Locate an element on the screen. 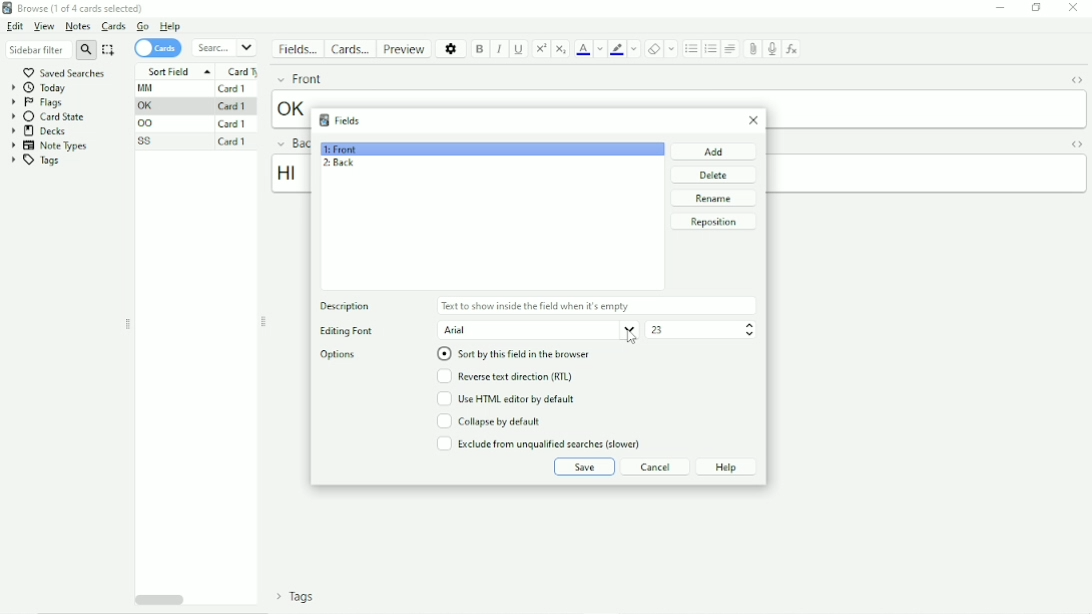 The image size is (1092, 614). Record audio is located at coordinates (771, 49).